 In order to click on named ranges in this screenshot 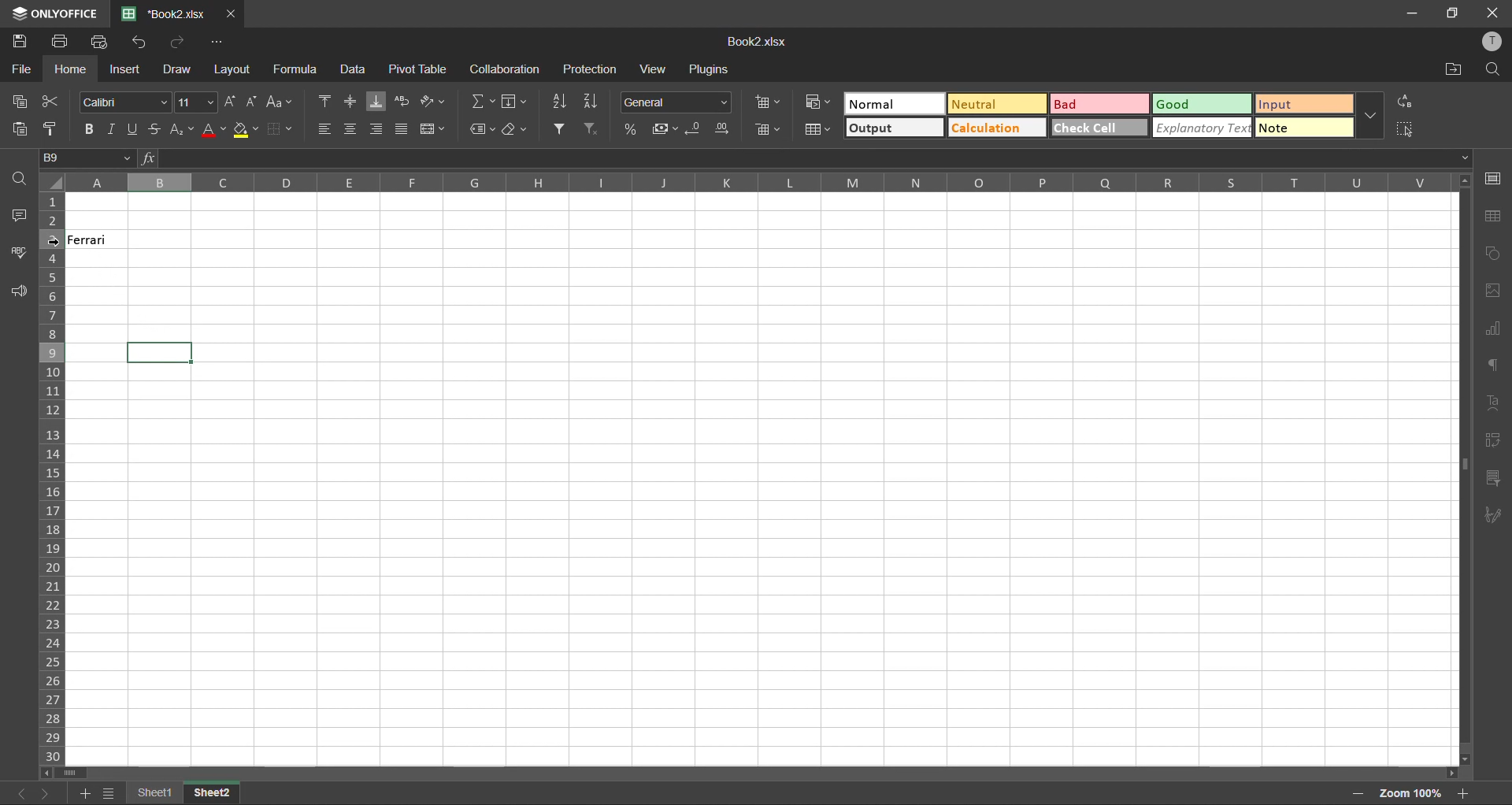, I will do `click(481, 128)`.